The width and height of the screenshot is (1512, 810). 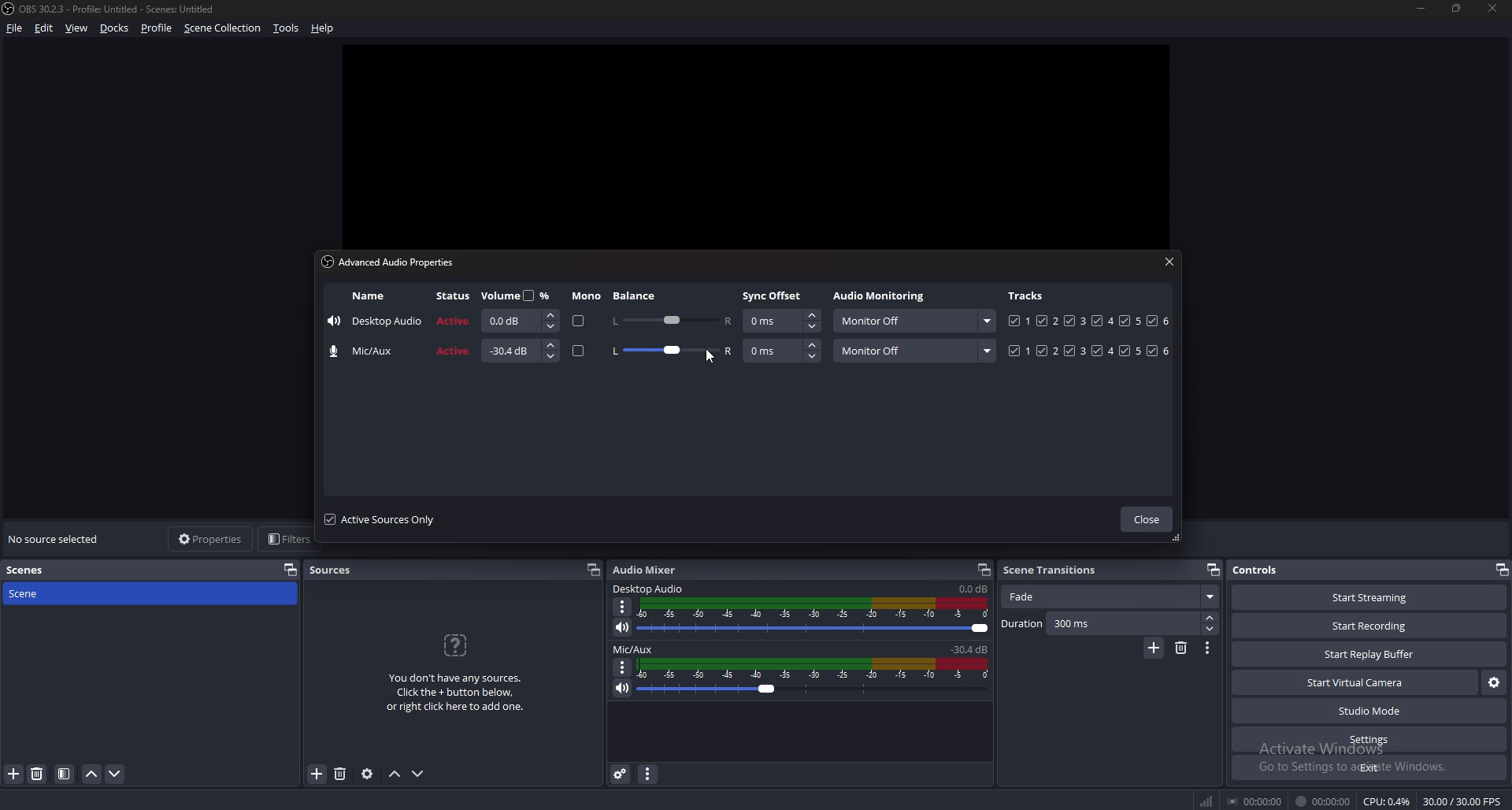 I want to click on properties, so click(x=213, y=539).